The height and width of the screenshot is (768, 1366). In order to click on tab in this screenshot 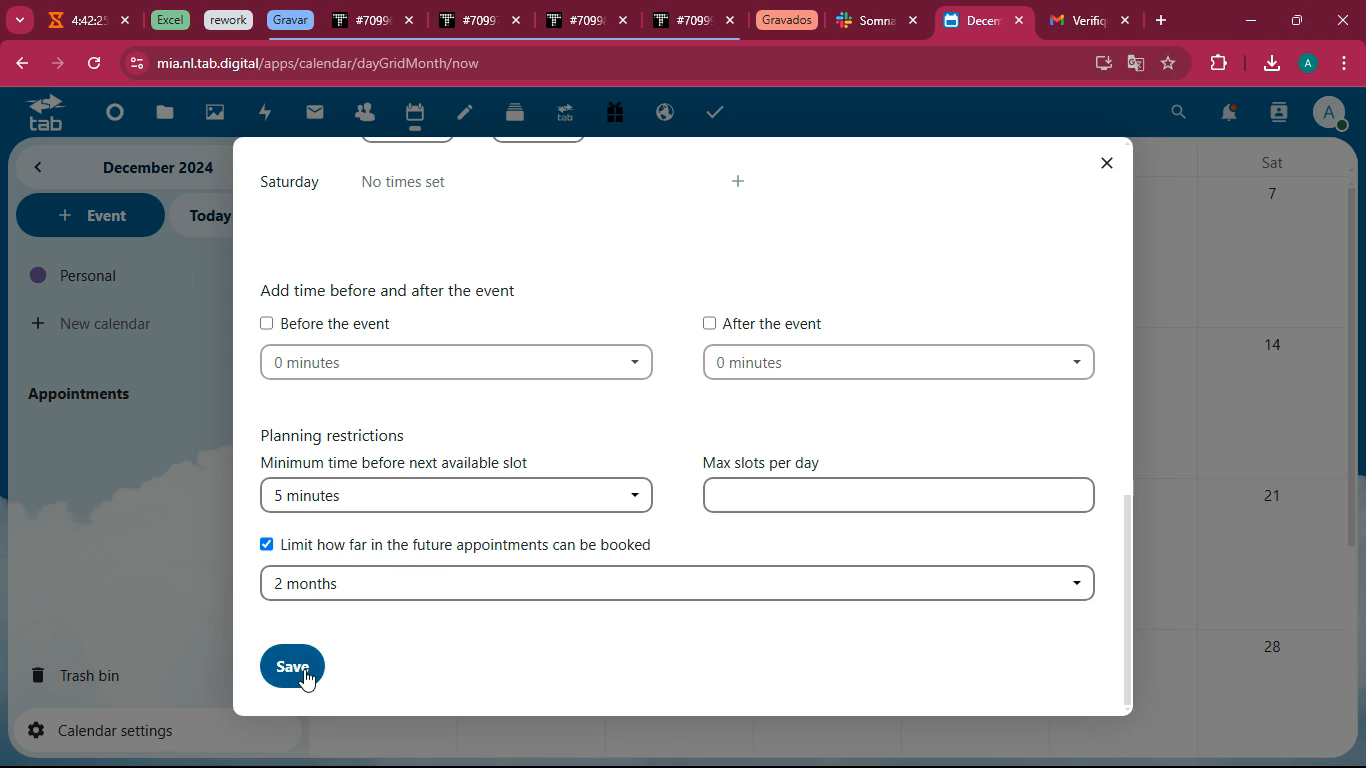, I will do `click(74, 23)`.